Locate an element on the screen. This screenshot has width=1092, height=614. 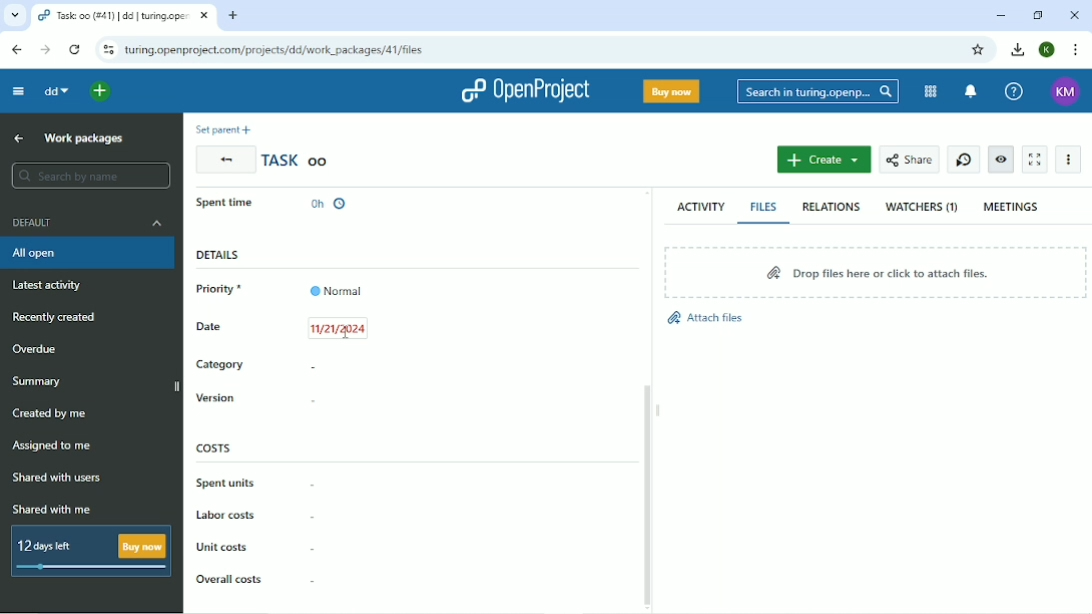
Collapse project menu is located at coordinates (19, 91).